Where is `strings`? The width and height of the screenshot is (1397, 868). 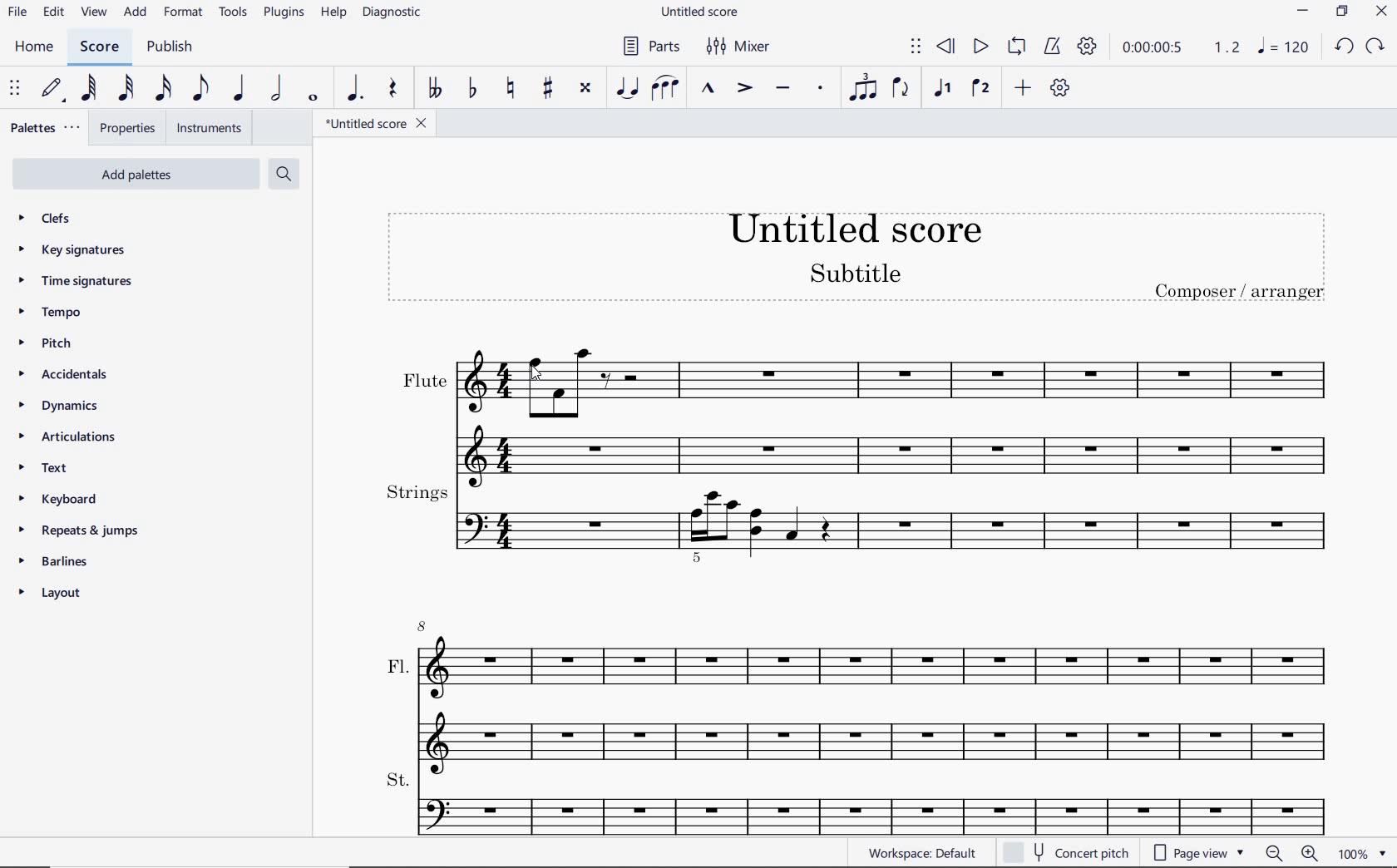
strings is located at coordinates (859, 521).